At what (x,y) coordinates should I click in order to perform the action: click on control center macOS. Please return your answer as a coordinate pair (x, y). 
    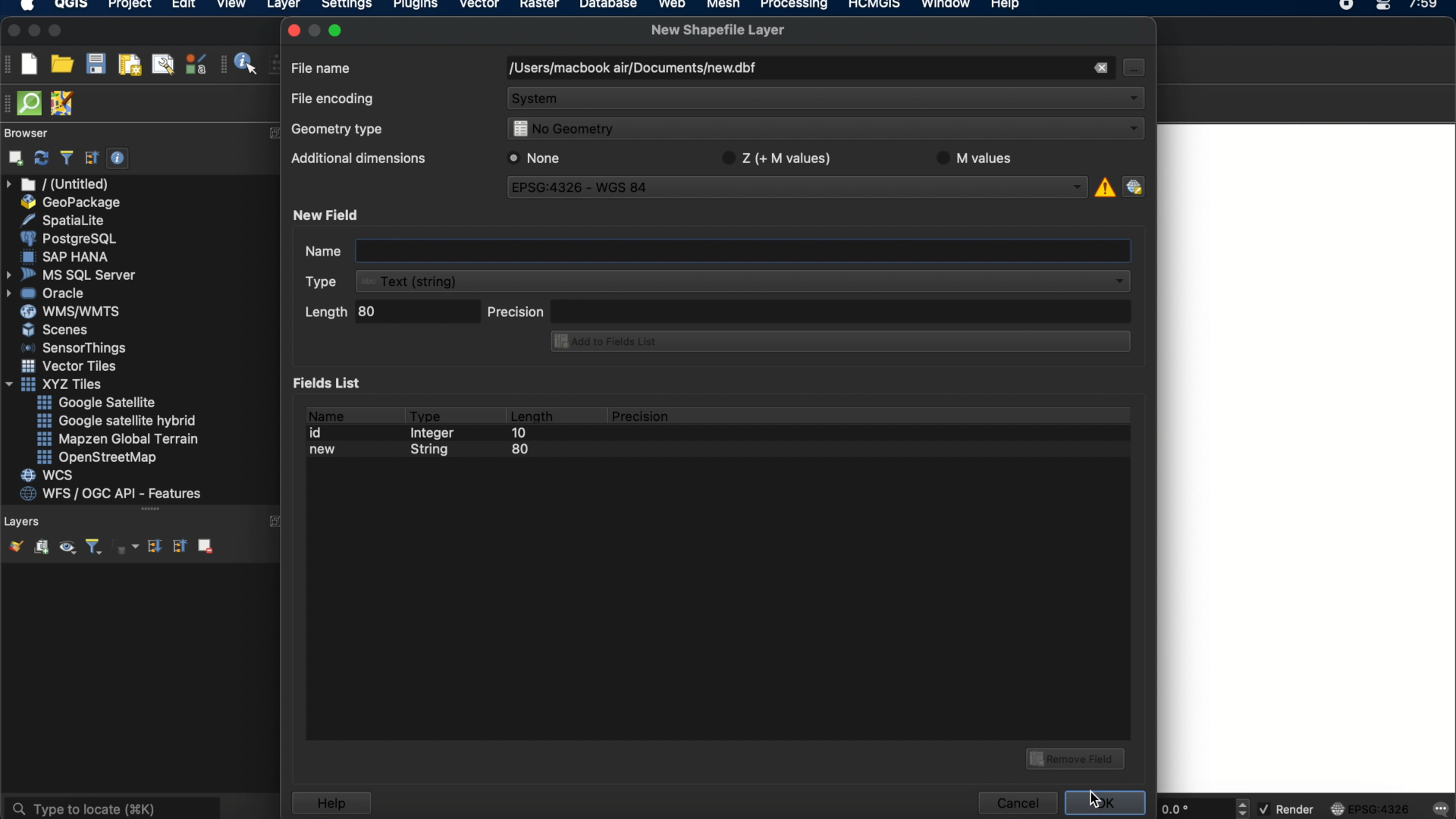
    Looking at the image, I should click on (1382, 7).